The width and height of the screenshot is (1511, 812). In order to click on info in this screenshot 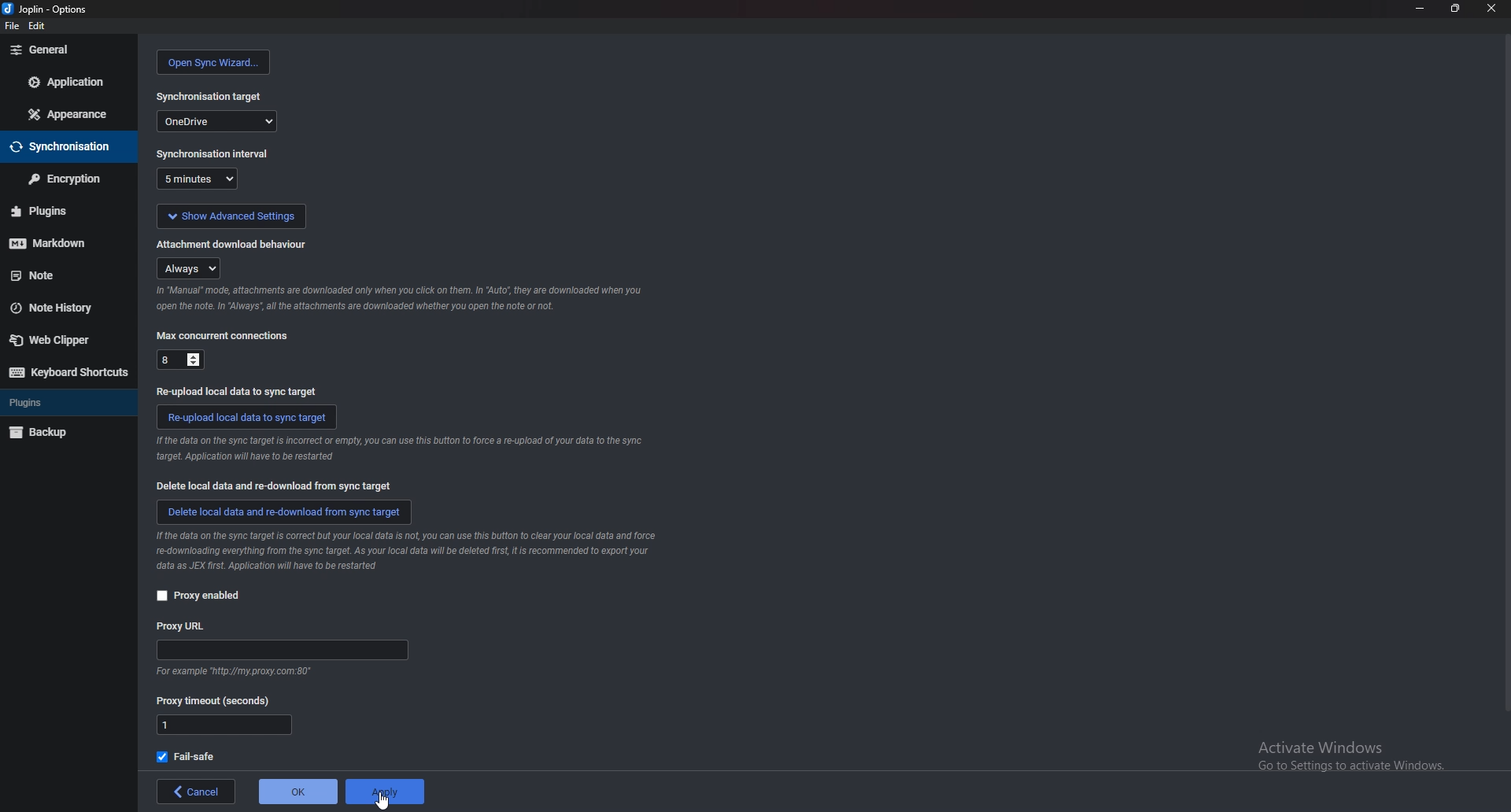, I will do `click(407, 552)`.